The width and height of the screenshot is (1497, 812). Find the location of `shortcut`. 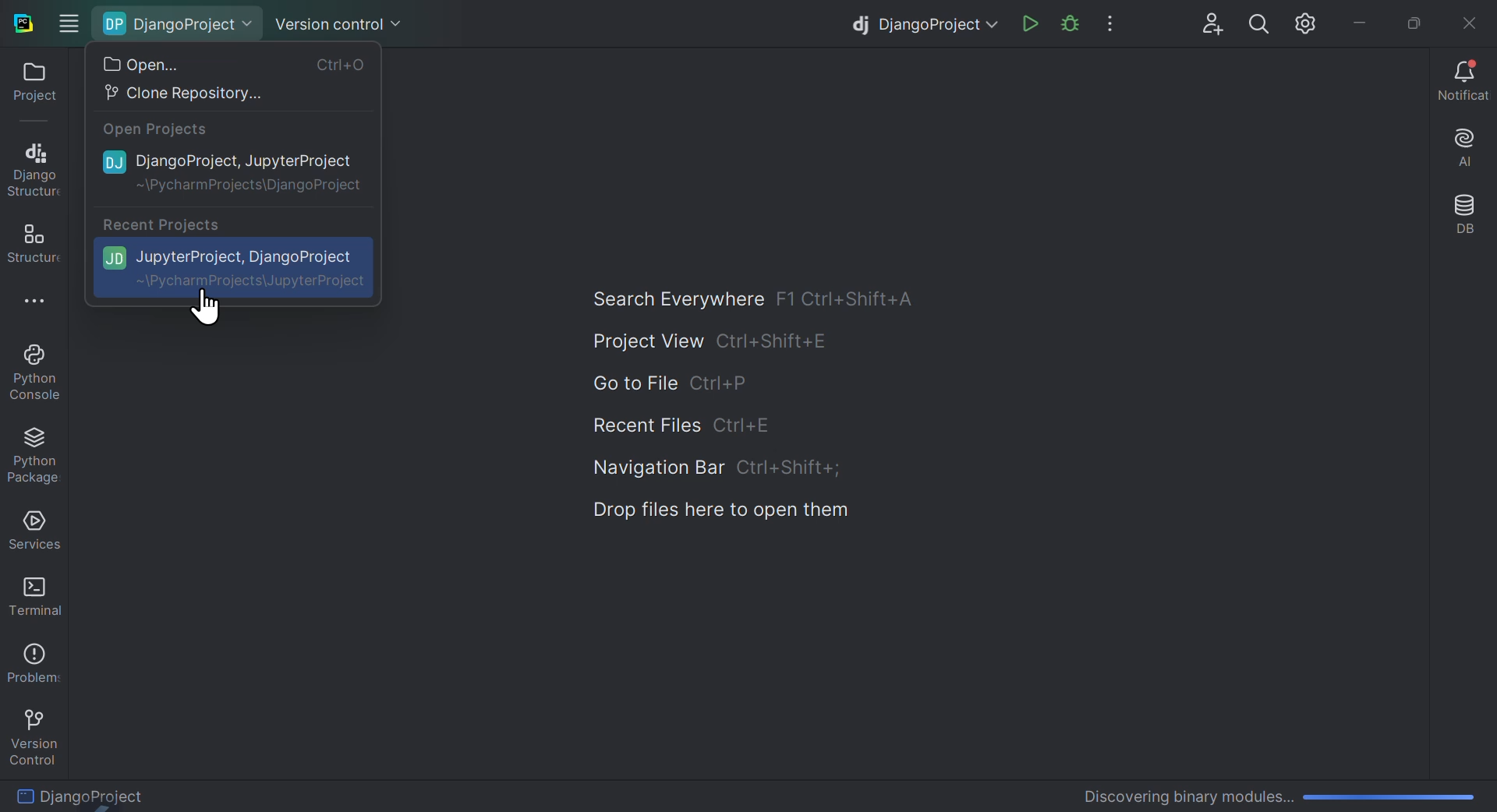

shortcut is located at coordinates (854, 298).